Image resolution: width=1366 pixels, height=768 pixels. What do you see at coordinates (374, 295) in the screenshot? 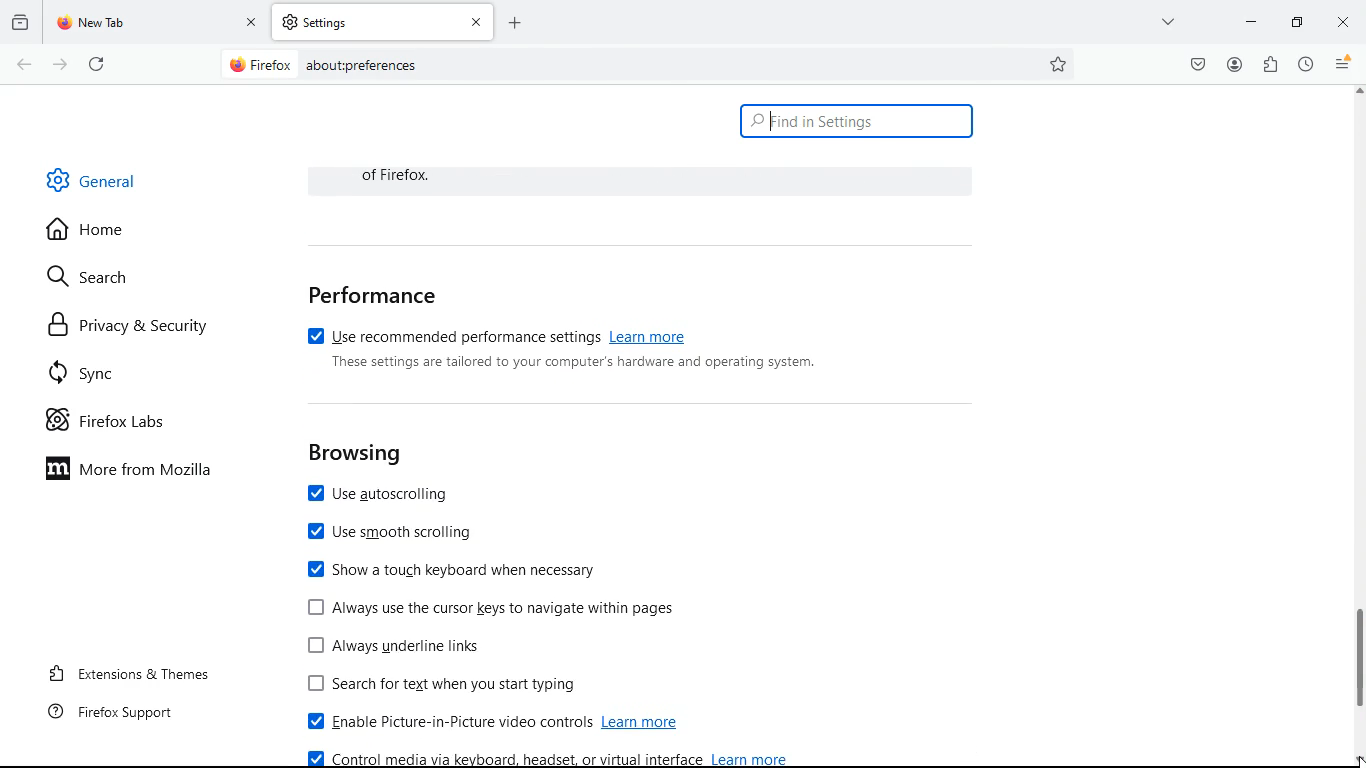
I see `performance` at bounding box center [374, 295].